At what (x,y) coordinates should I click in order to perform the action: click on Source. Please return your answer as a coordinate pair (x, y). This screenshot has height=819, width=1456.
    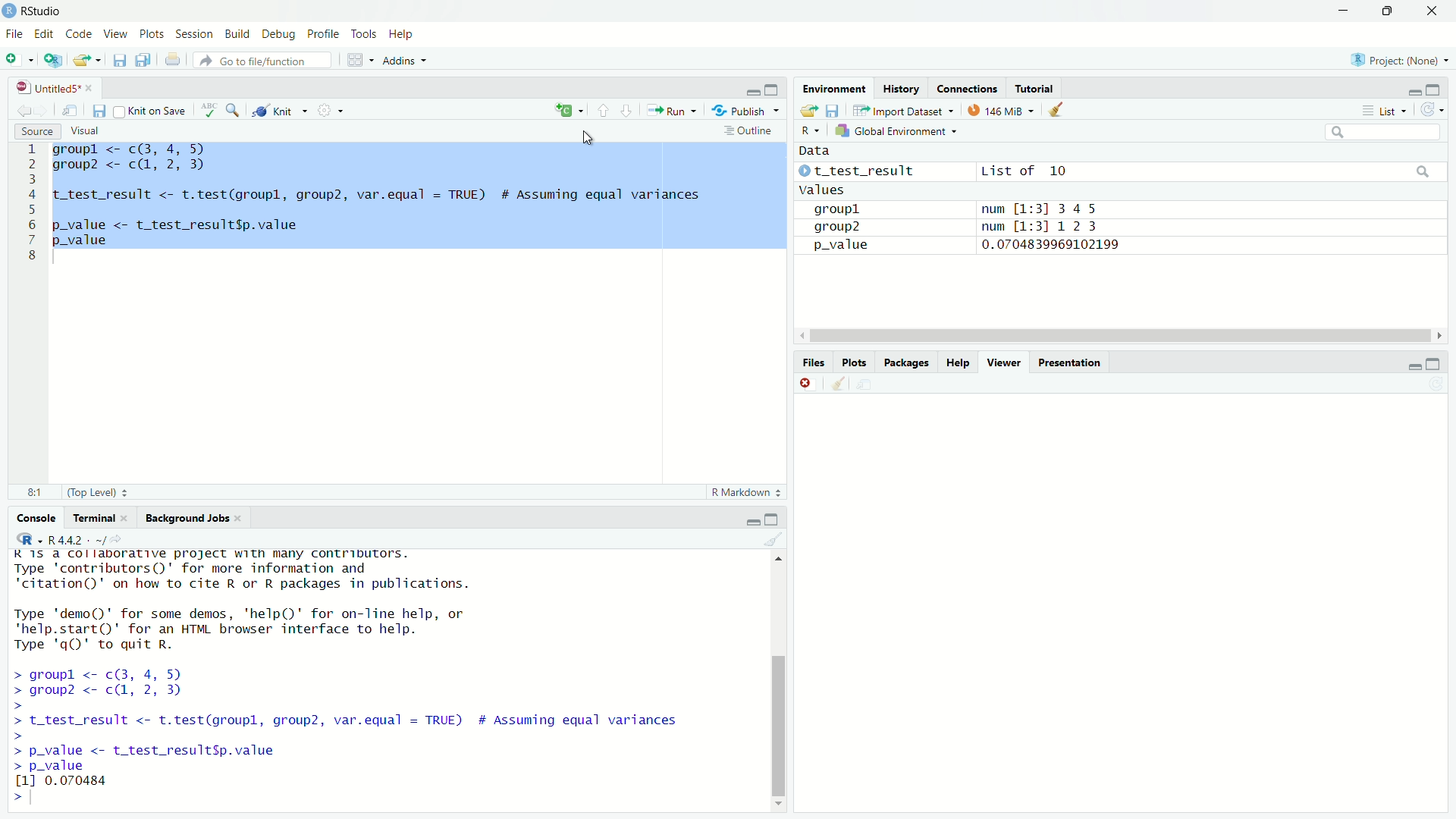
    Looking at the image, I should click on (34, 131).